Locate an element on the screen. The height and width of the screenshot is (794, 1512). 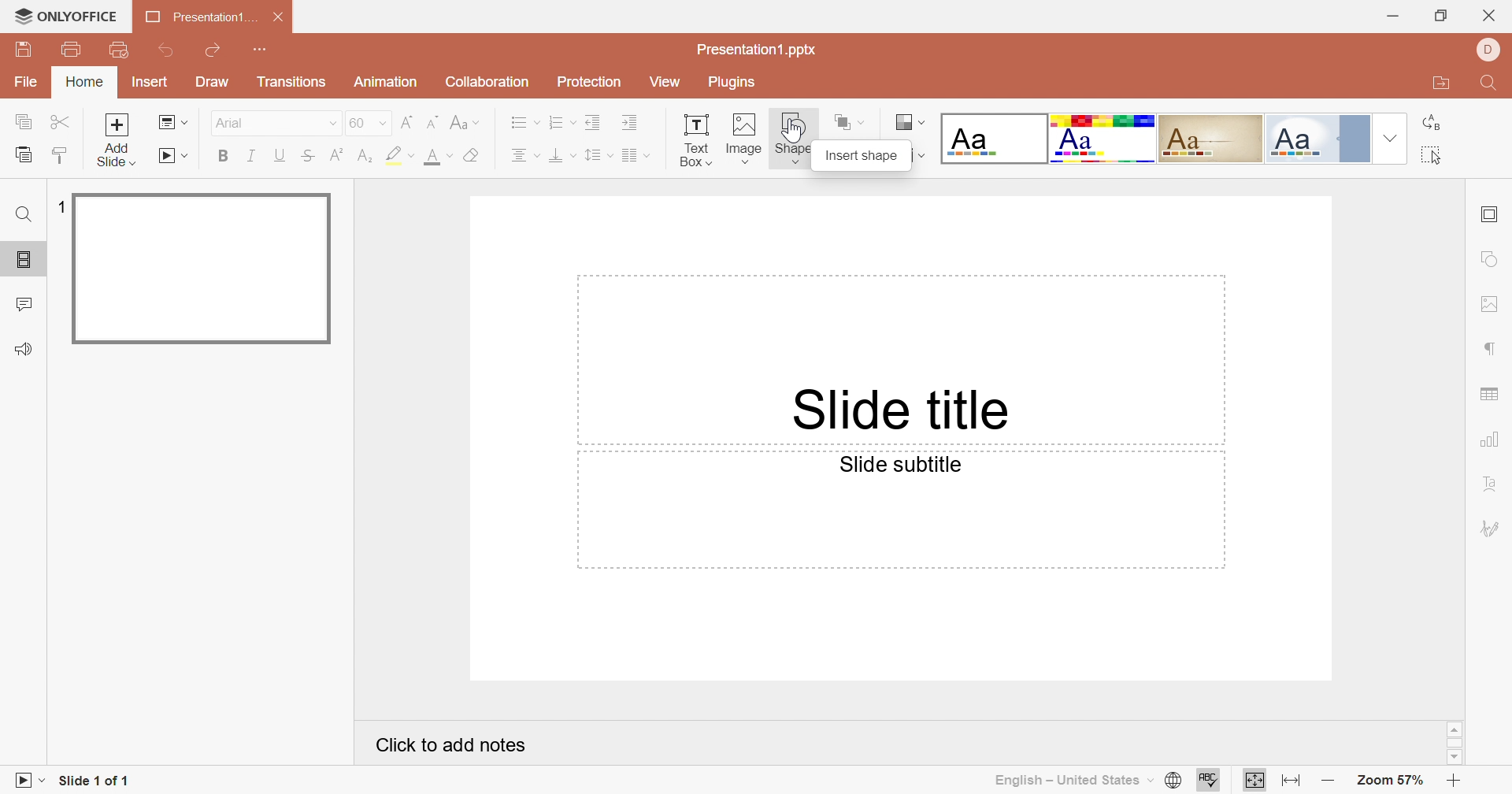
Replace is located at coordinates (1431, 122).